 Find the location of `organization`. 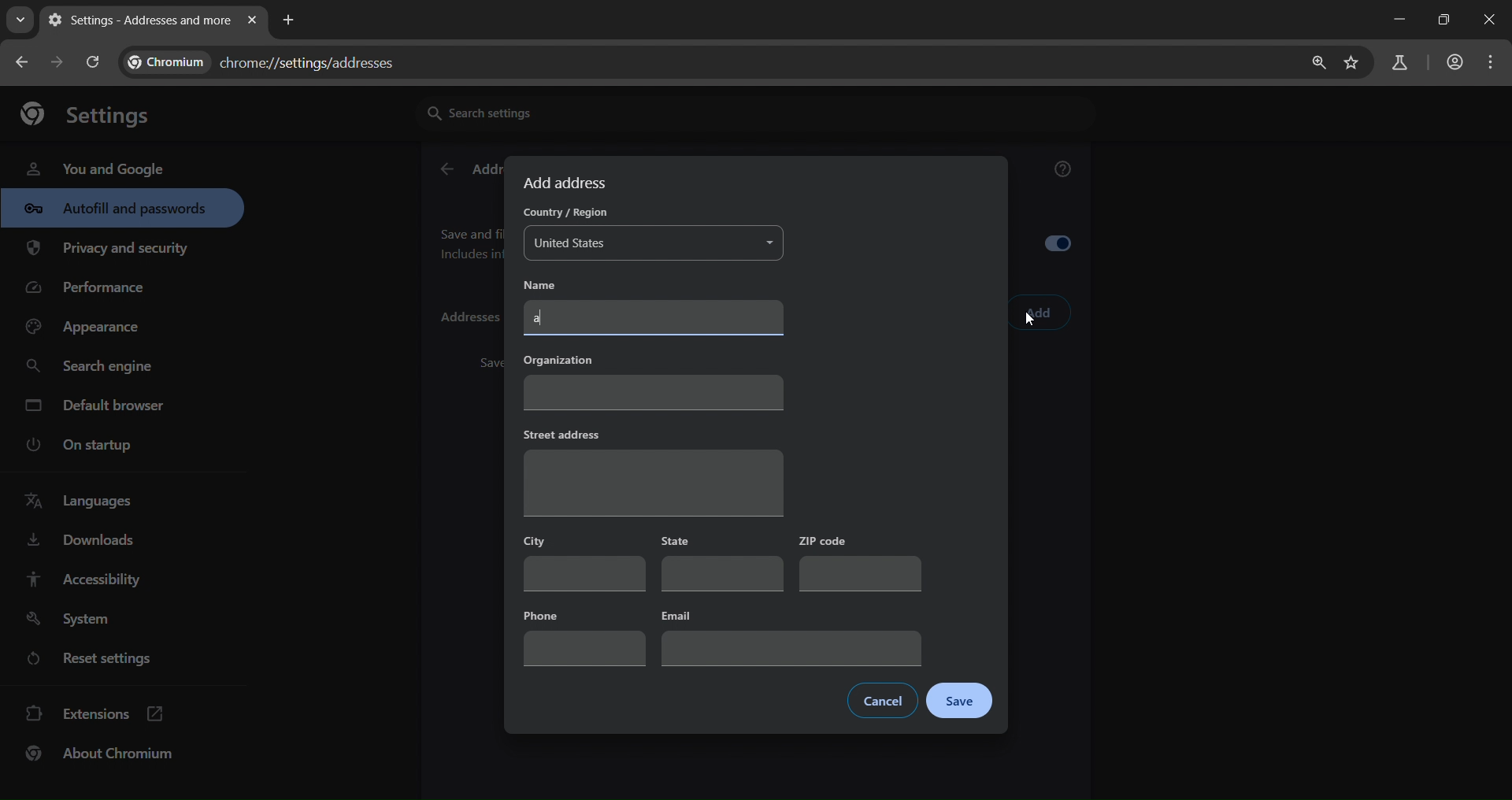

organization is located at coordinates (653, 379).